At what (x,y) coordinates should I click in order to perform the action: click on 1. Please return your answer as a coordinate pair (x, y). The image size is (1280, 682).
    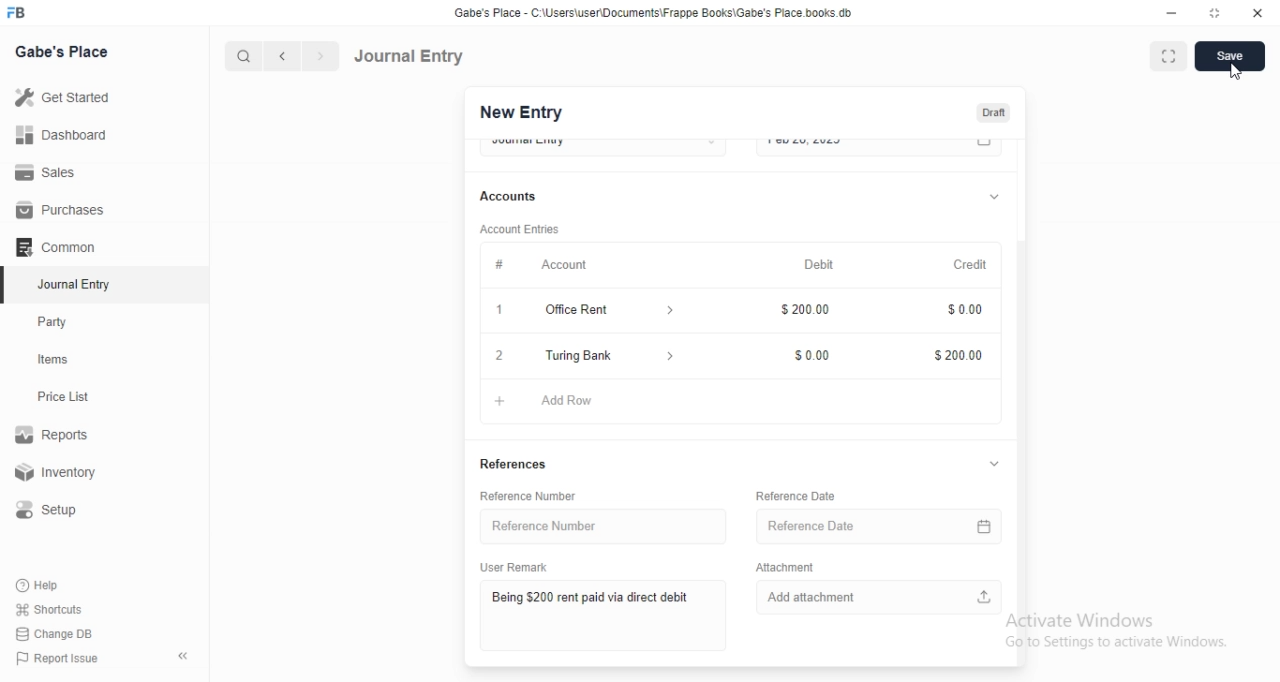
    Looking at the image, I should click on (498, 307).